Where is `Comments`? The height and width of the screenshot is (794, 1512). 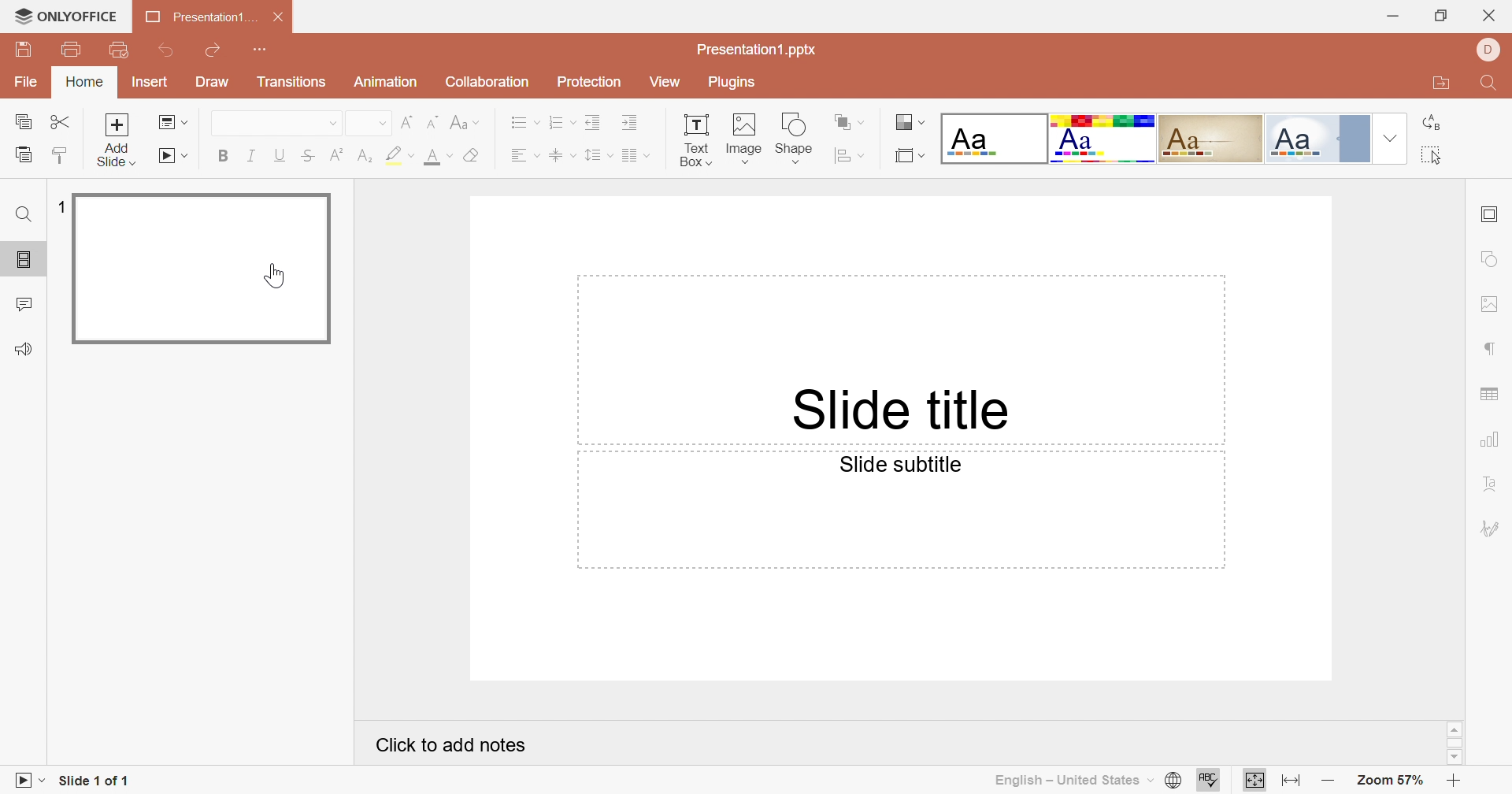 Comments is located at coordinates (28, 305).